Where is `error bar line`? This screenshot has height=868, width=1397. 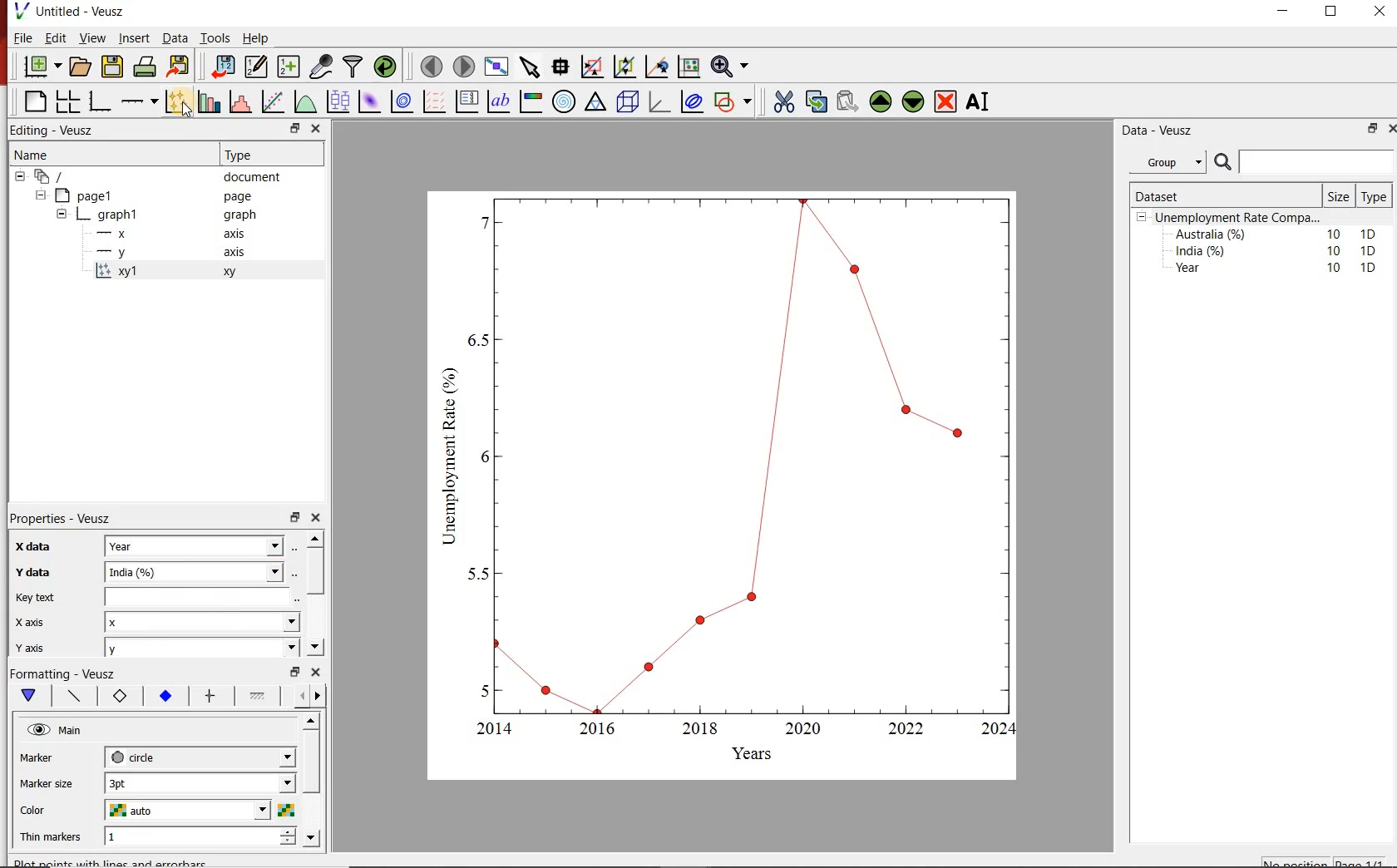
error bar line is located at coordinates (211, 696).